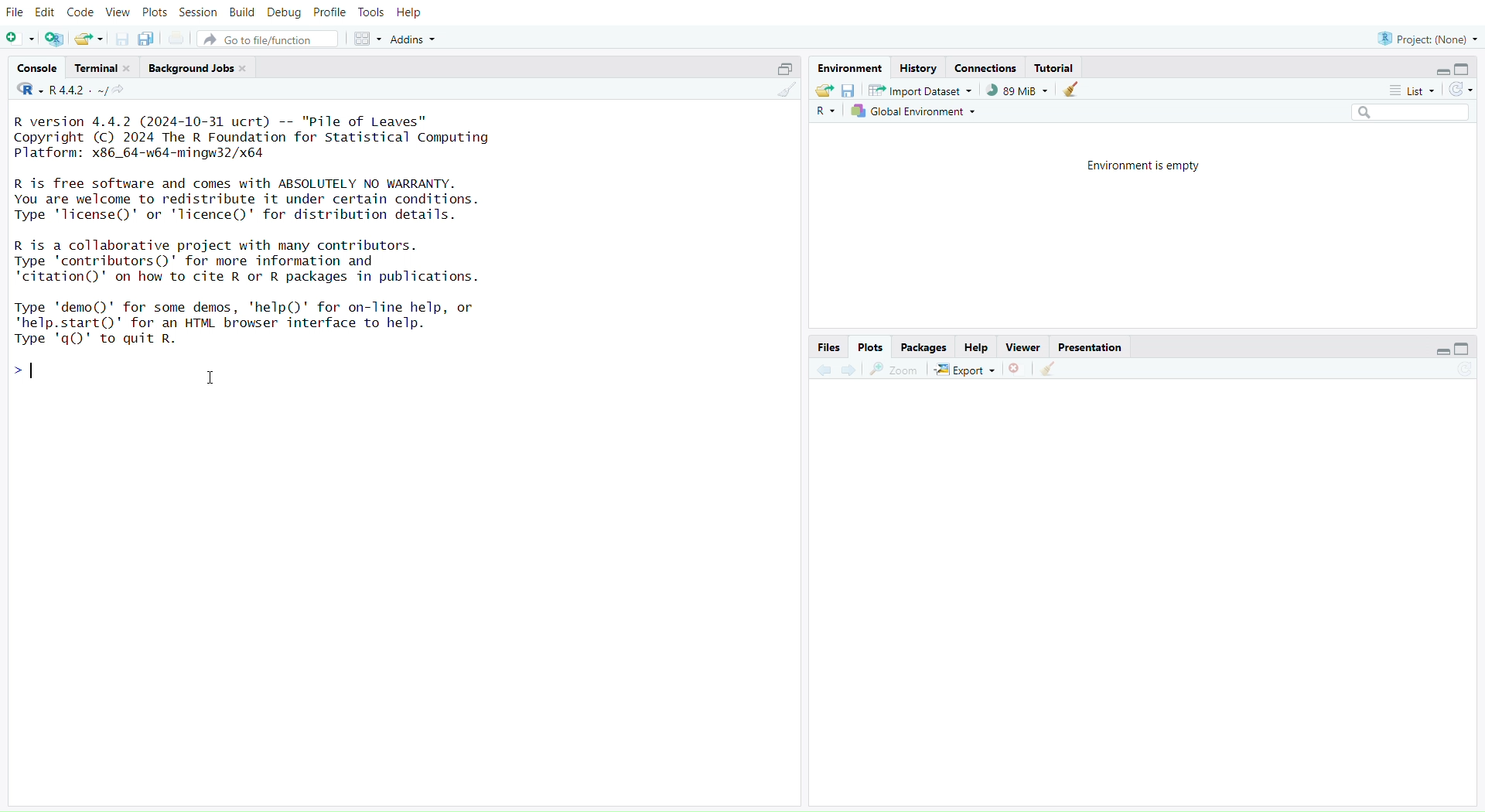  Describe the element at coordinates (23, 372) in the screenshot. I see `Prompt cursor` at that location.